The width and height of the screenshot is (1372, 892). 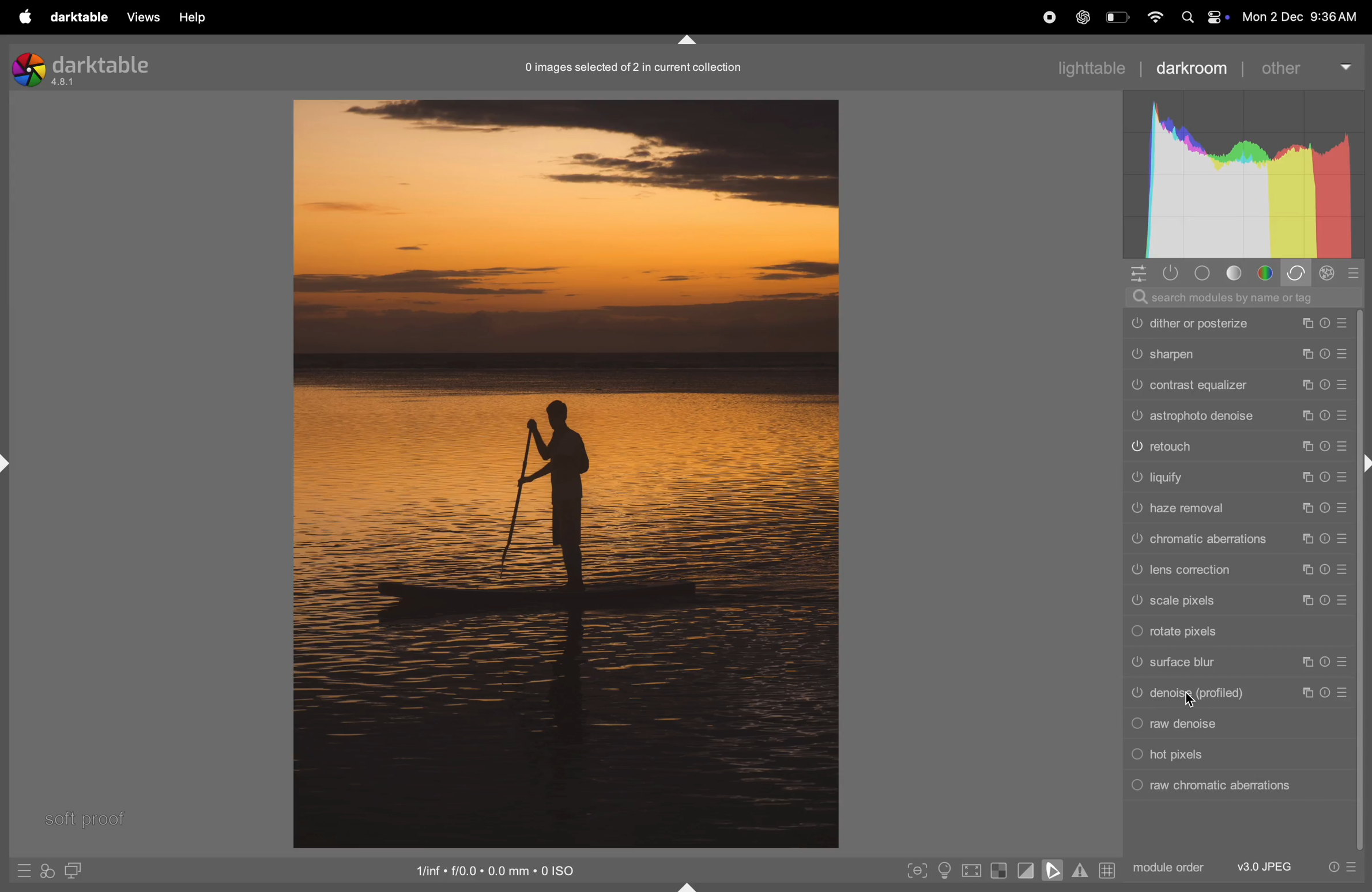 I want to click on darktable version, so click(x=82, y=66).